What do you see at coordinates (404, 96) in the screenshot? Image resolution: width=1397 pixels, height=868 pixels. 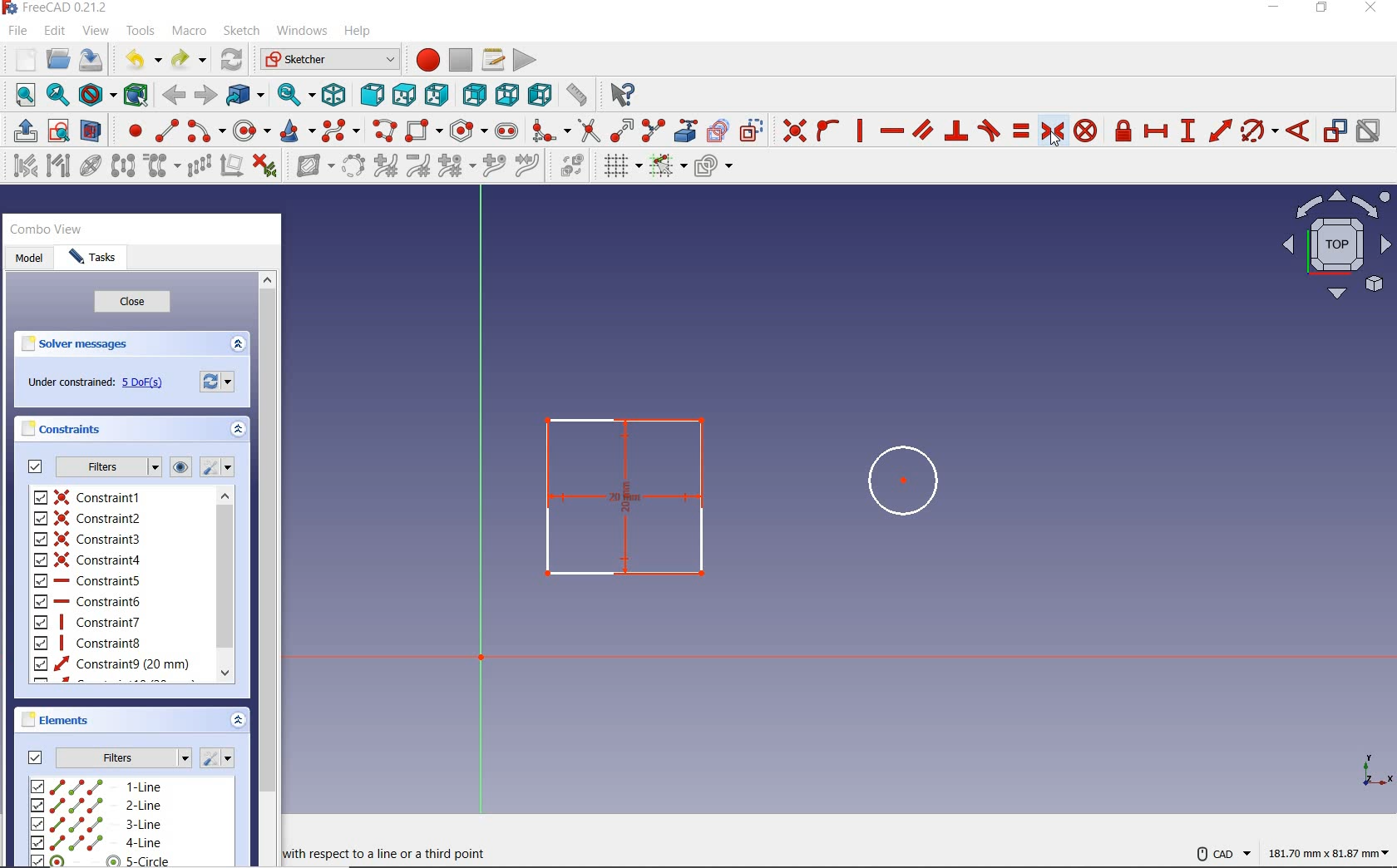 I see `top` at bounding box center [404, 96].